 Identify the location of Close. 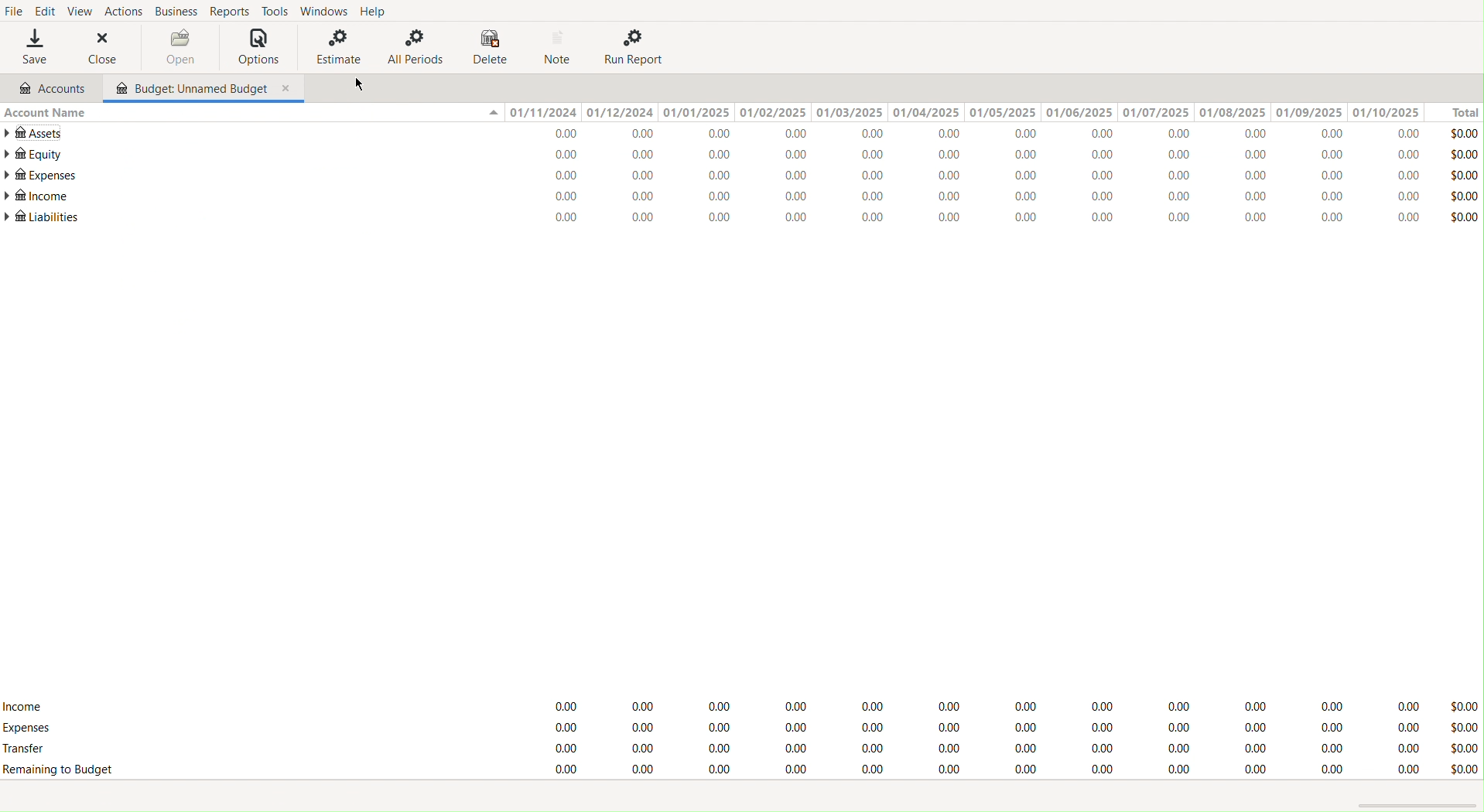
(94, 48).